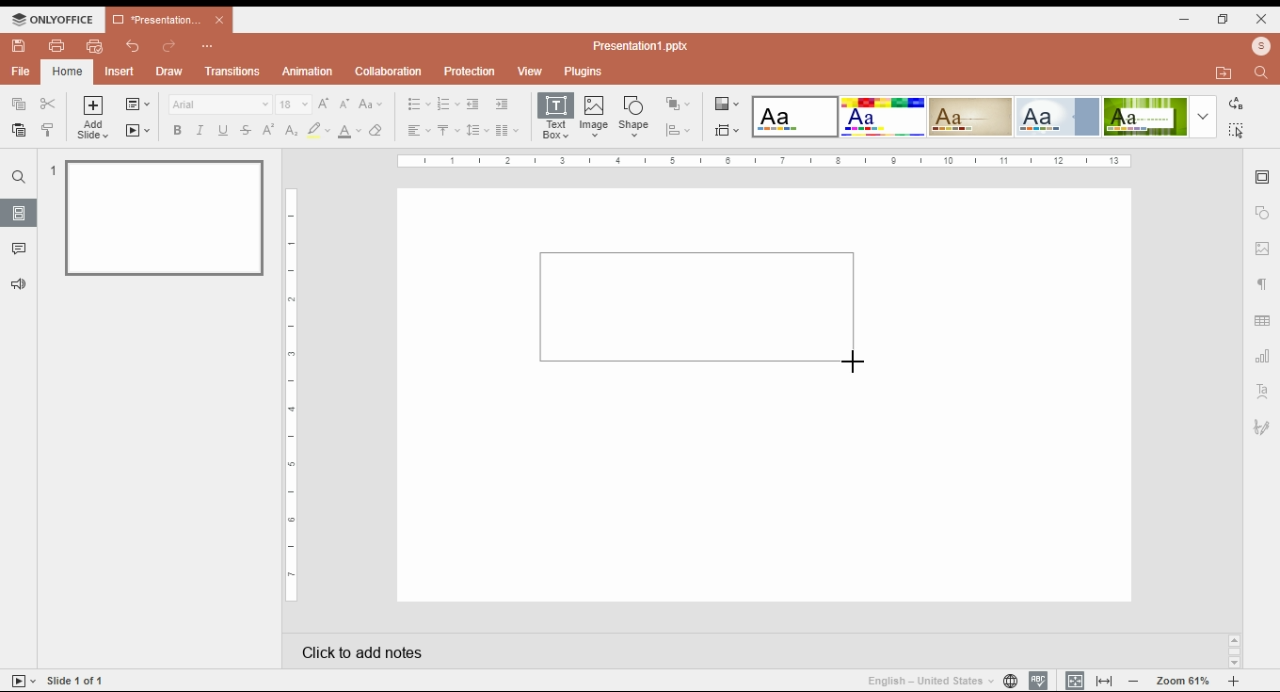  Describe the element at coordinates (1134, 680) in the screenshot. I see `decrease zoom` at that location.